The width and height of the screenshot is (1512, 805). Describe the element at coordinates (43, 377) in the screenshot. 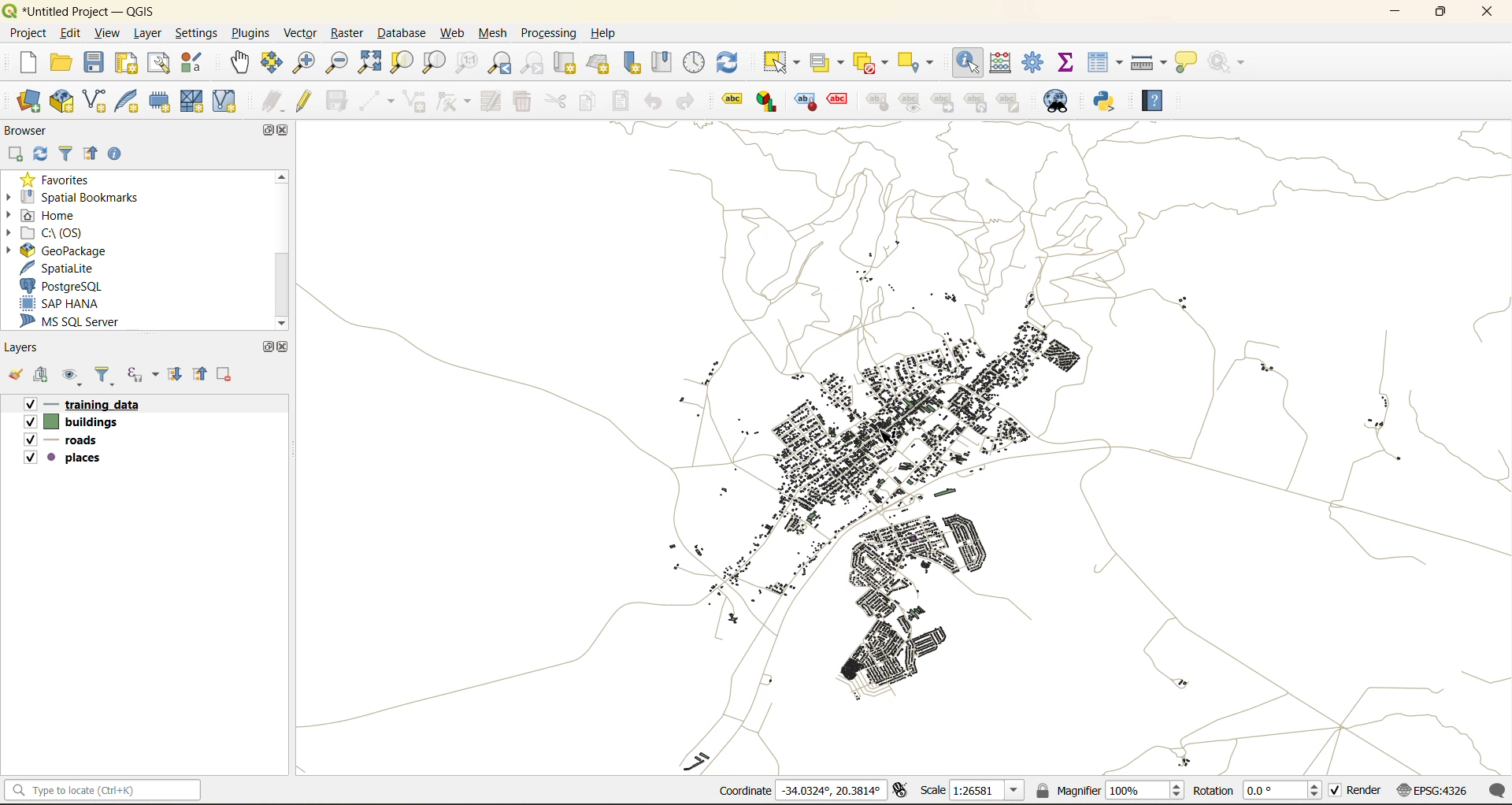

I see `add` at that location.